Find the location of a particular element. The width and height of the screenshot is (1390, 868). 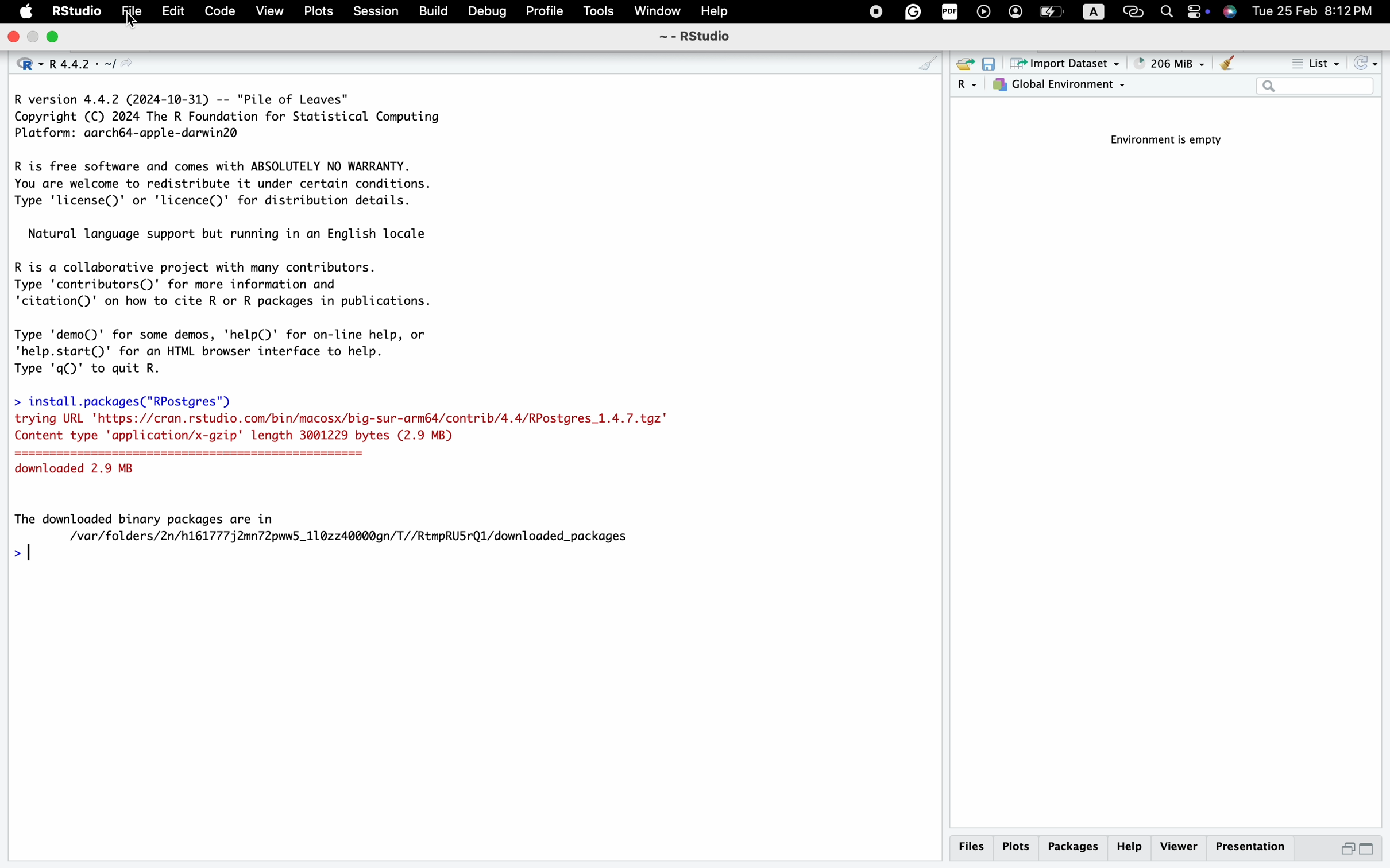

siri is located at coordinates (1231, 13).